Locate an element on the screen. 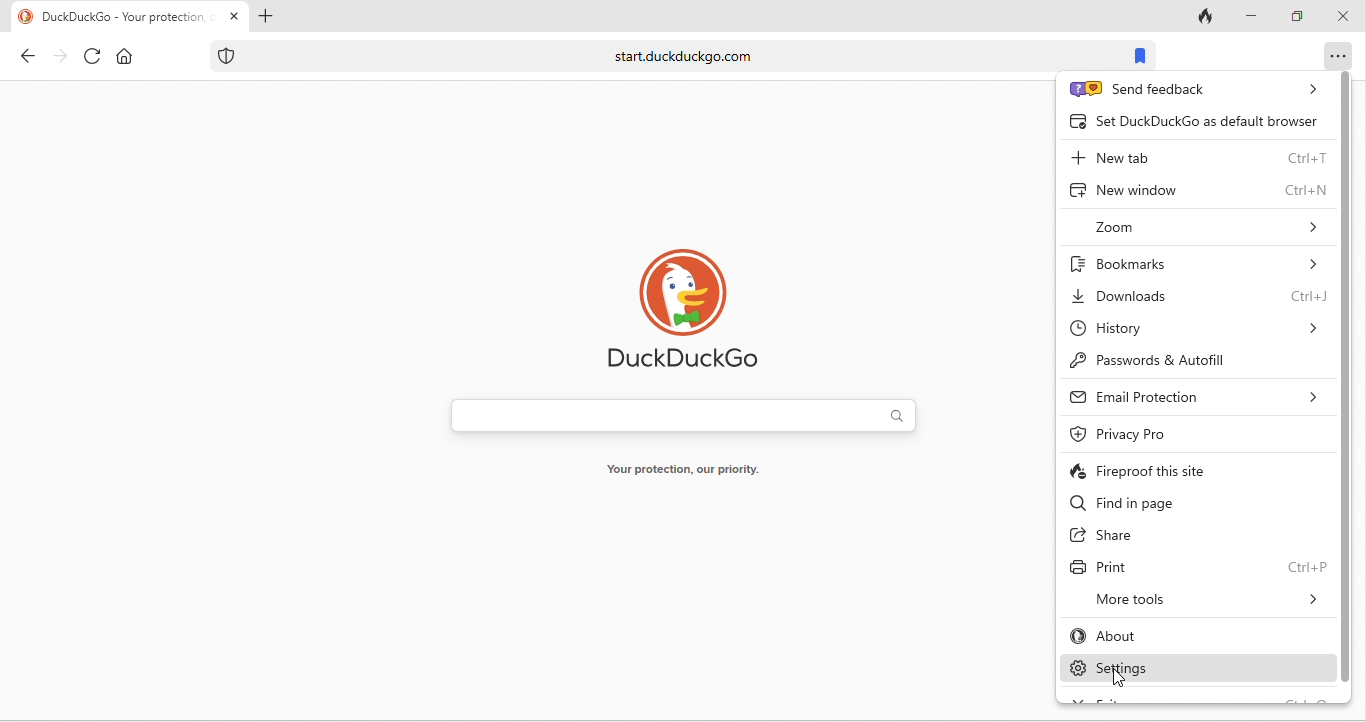  downloads is located at coordinates (1198, 296).